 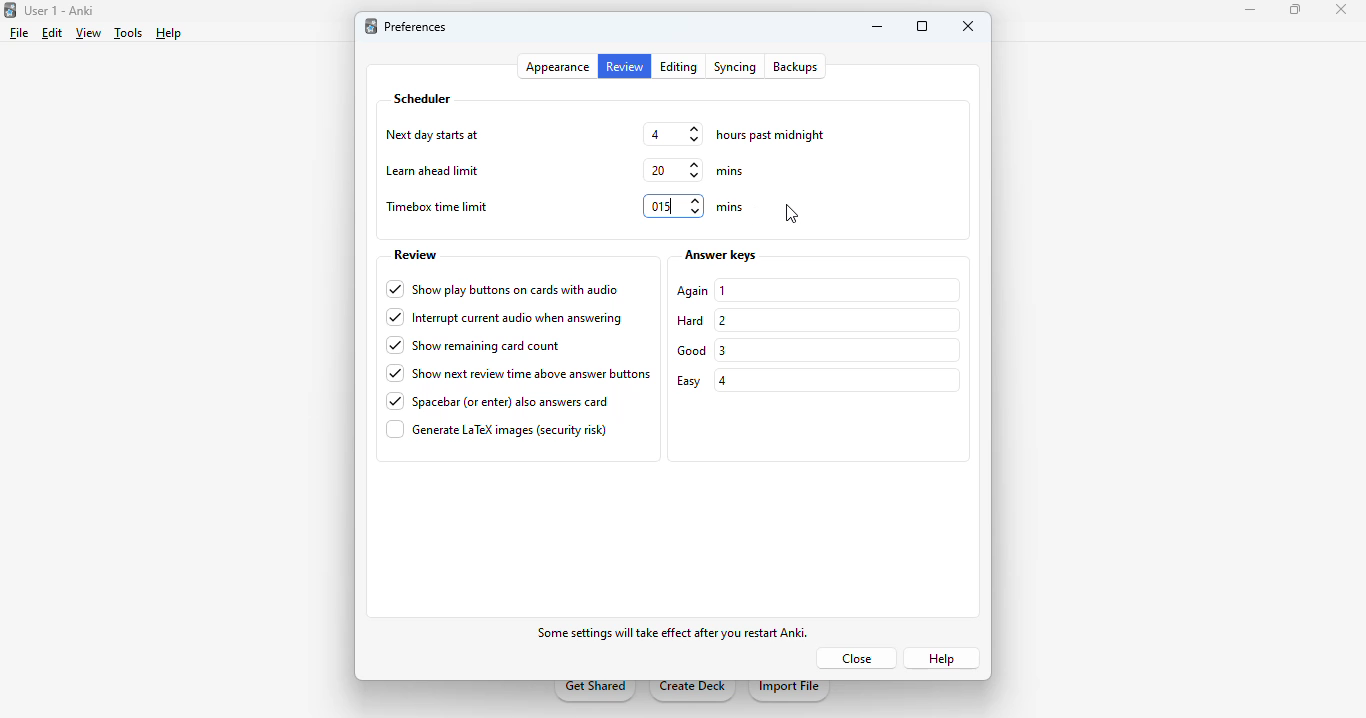 I want to click on backups, so click(x=796, y=67).